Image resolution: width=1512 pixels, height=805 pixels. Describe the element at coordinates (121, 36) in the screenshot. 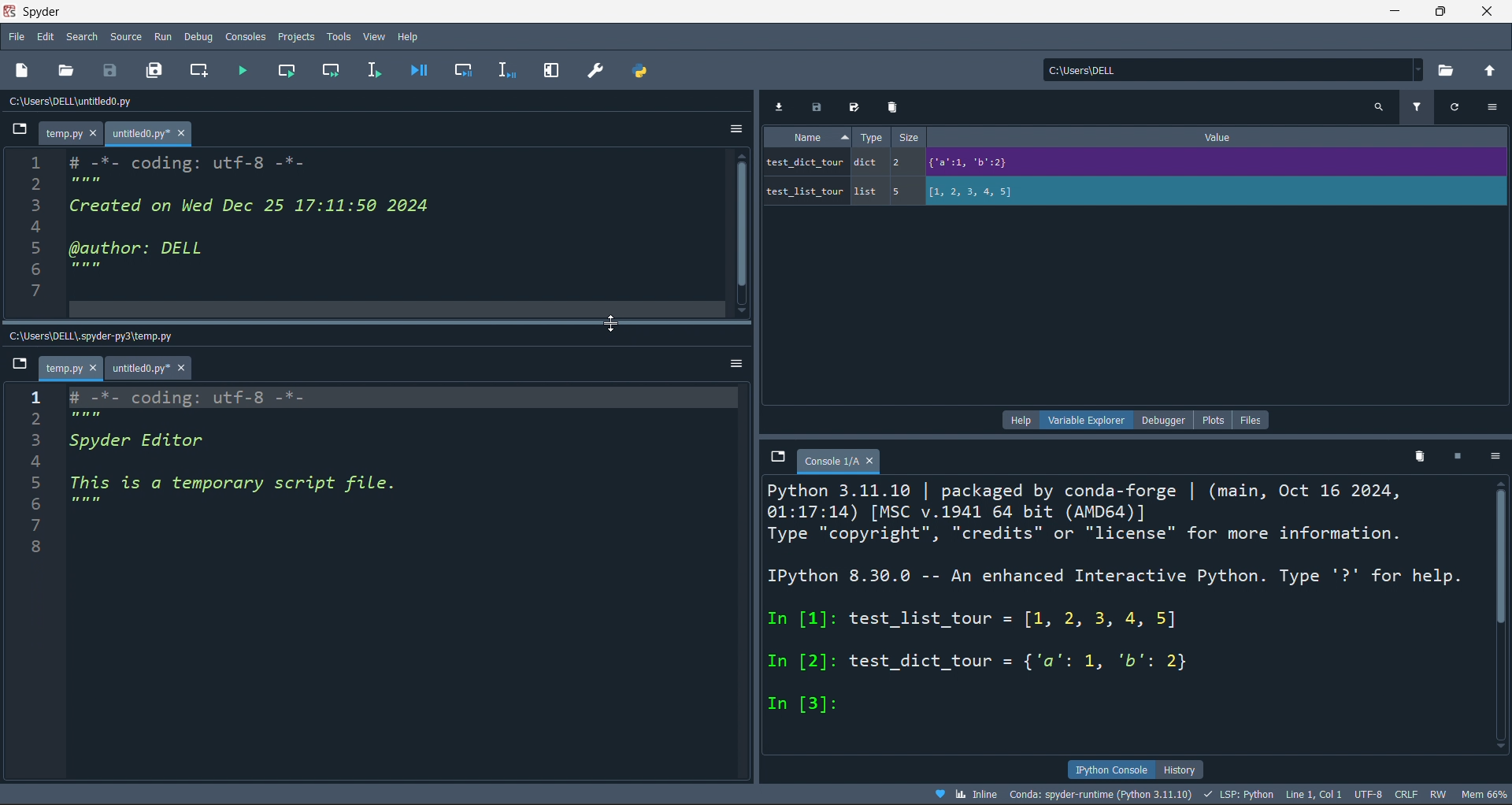

I see `source` at that location.